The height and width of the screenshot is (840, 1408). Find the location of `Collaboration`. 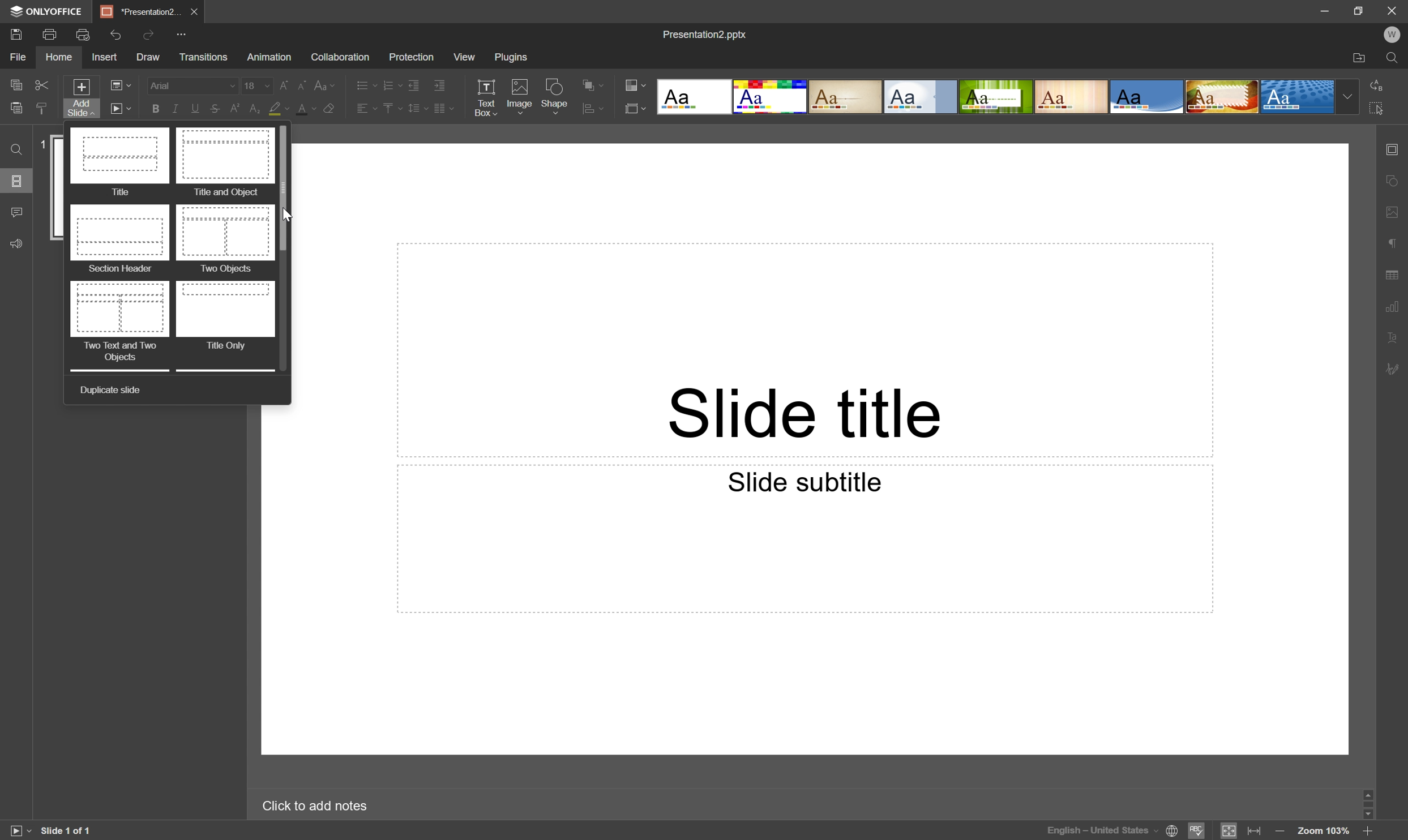

Collaboration is located at coordinates (341, 57).